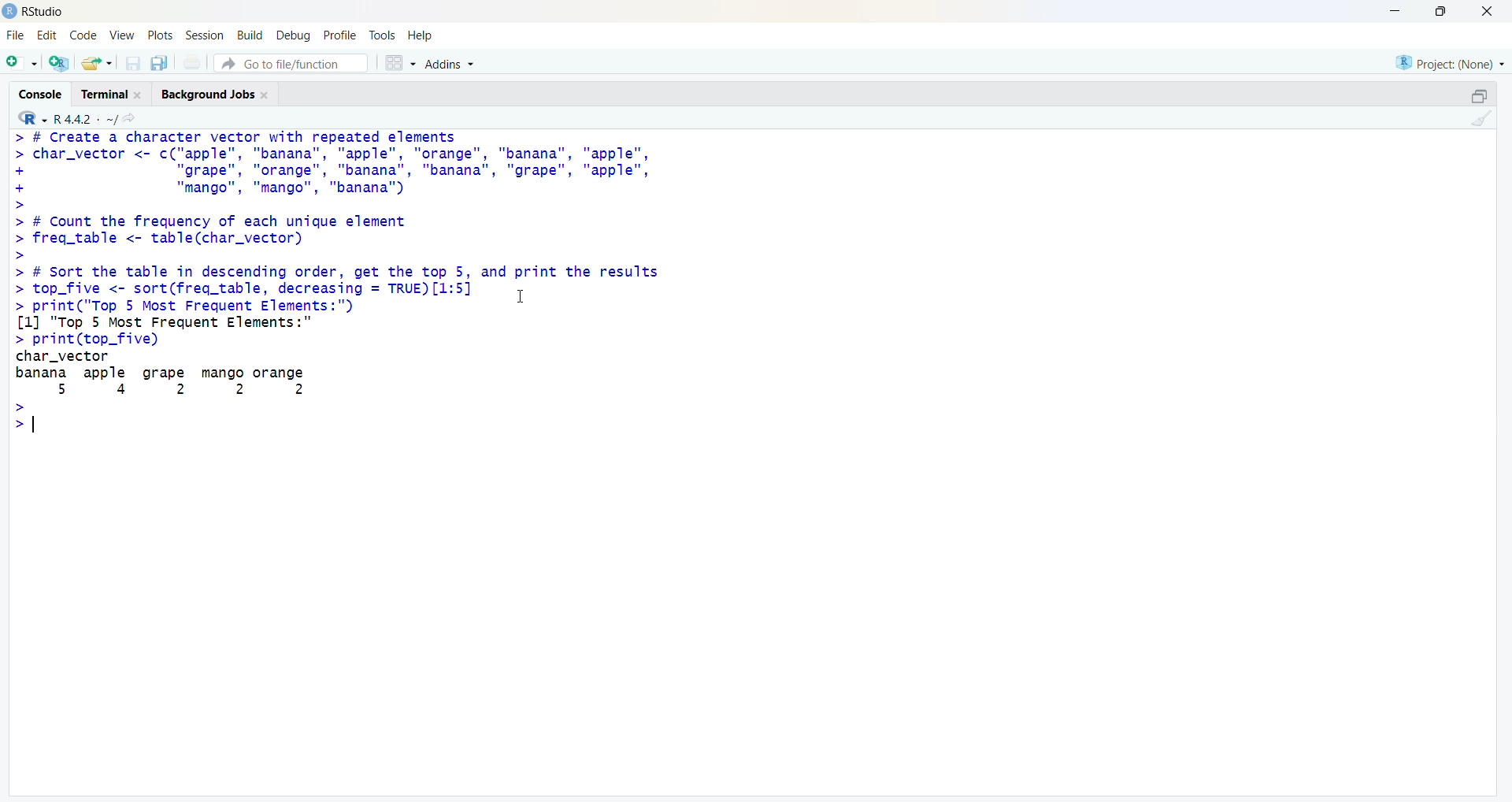 The height and width of the screenshot is (802, 1512). I want to click on Plots, so click(161, 36).